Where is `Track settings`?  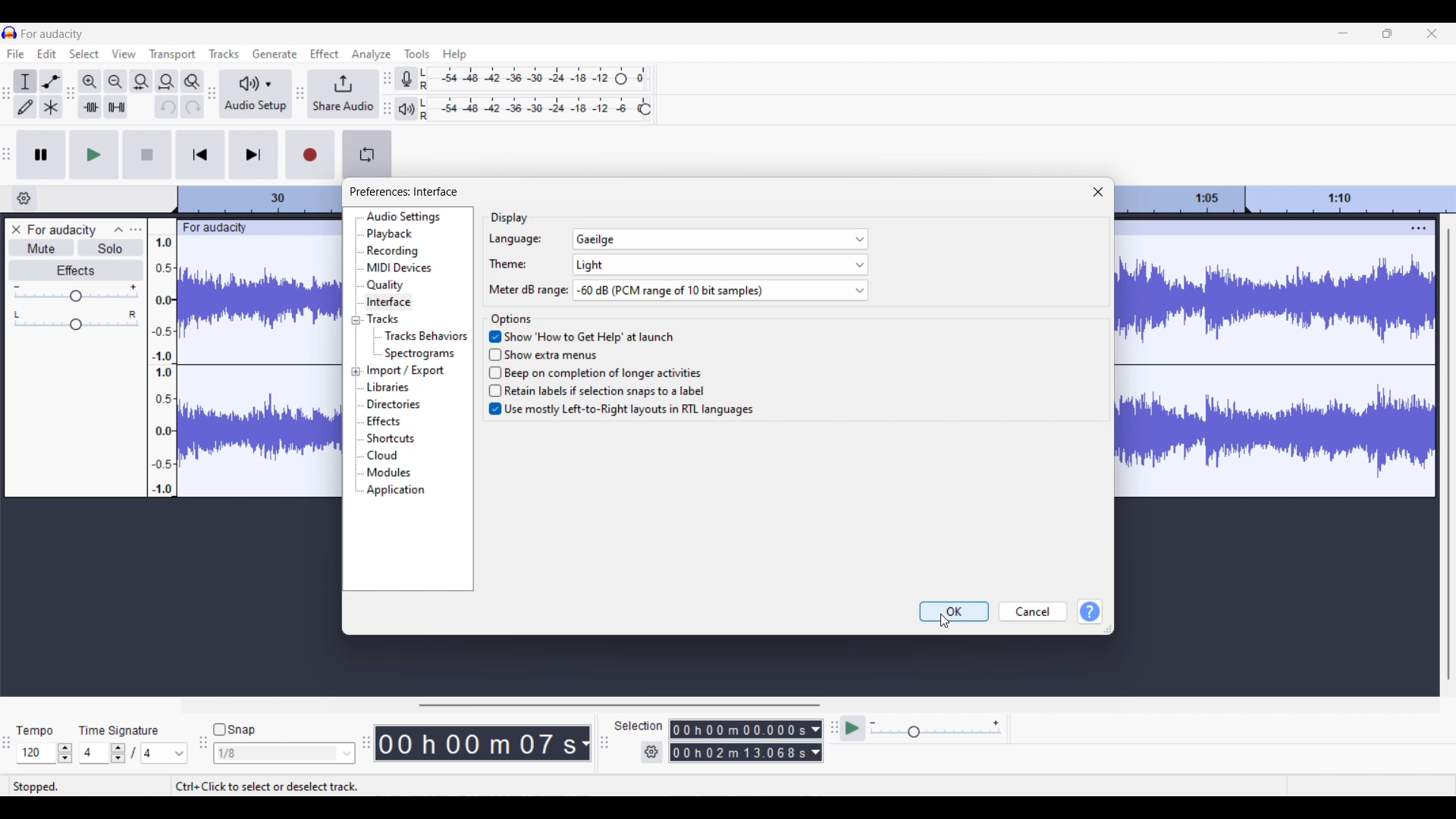 Track settings is located at coordinates (1420, 227).